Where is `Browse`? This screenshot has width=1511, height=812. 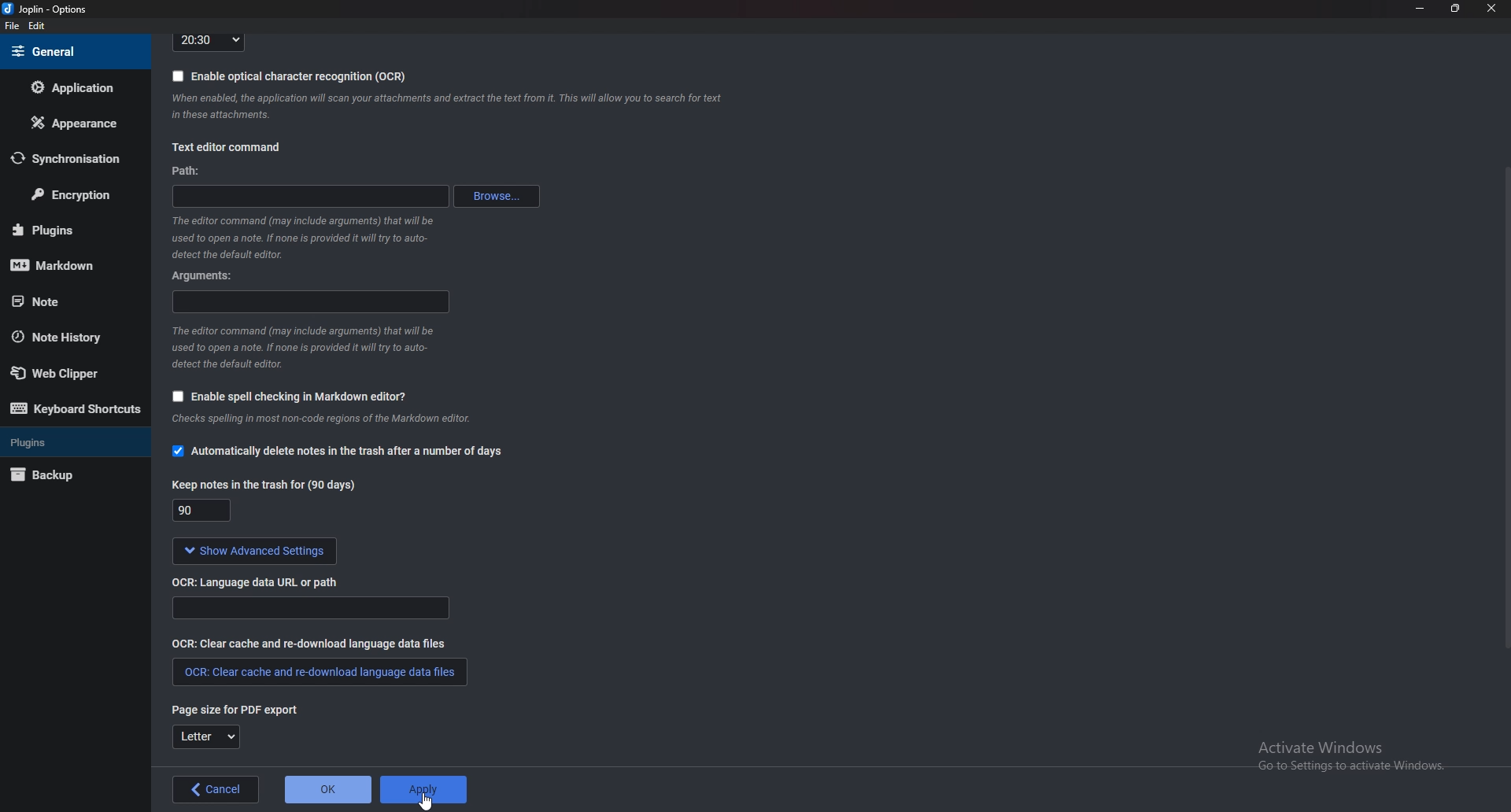 Browse is located at coordinates (499, 196).